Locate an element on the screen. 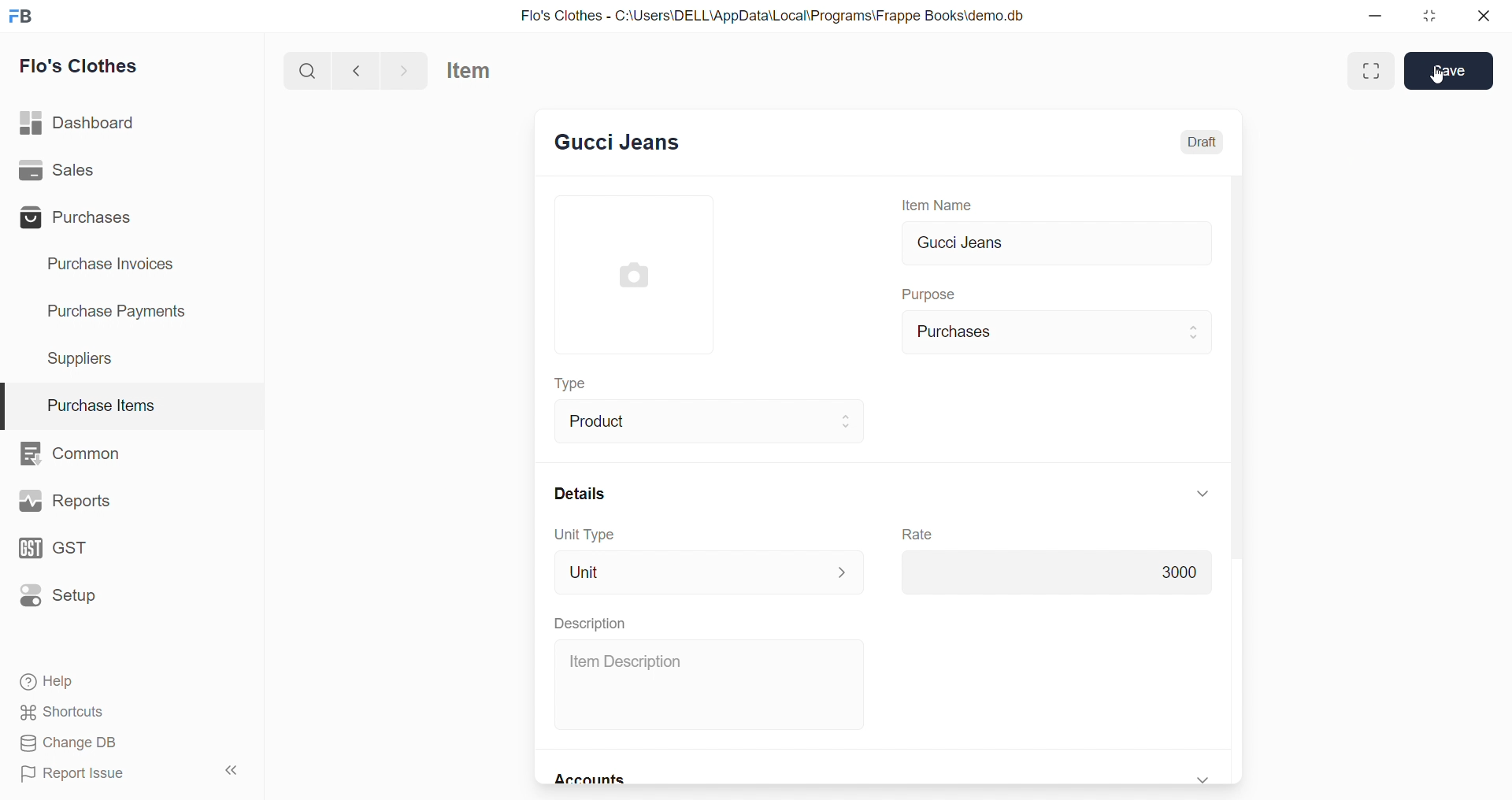 The width and height of the screenshot is (1512, 800). Sales is located at coordinates (81, 171).